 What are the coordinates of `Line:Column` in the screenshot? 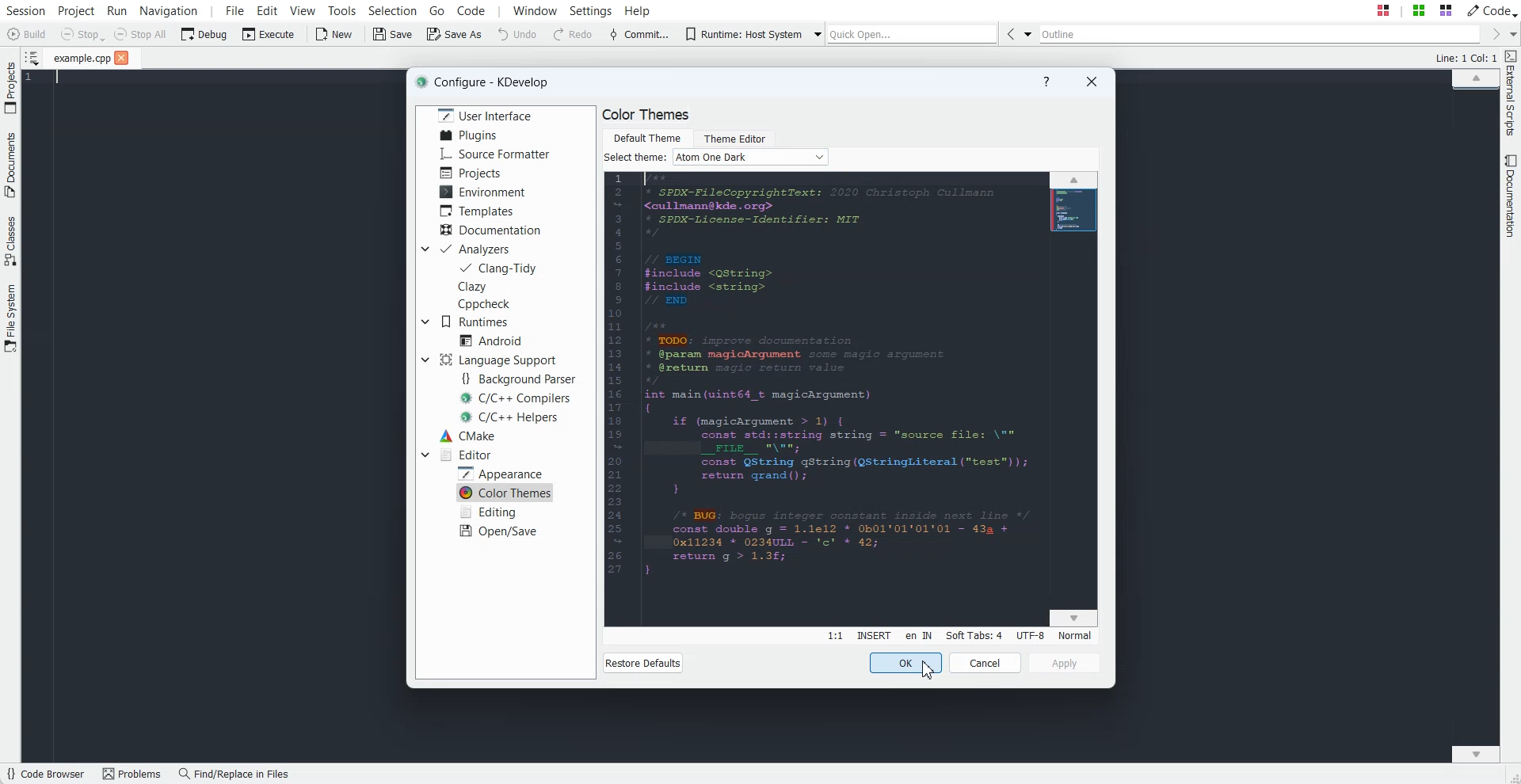 It's located at (834, 636).